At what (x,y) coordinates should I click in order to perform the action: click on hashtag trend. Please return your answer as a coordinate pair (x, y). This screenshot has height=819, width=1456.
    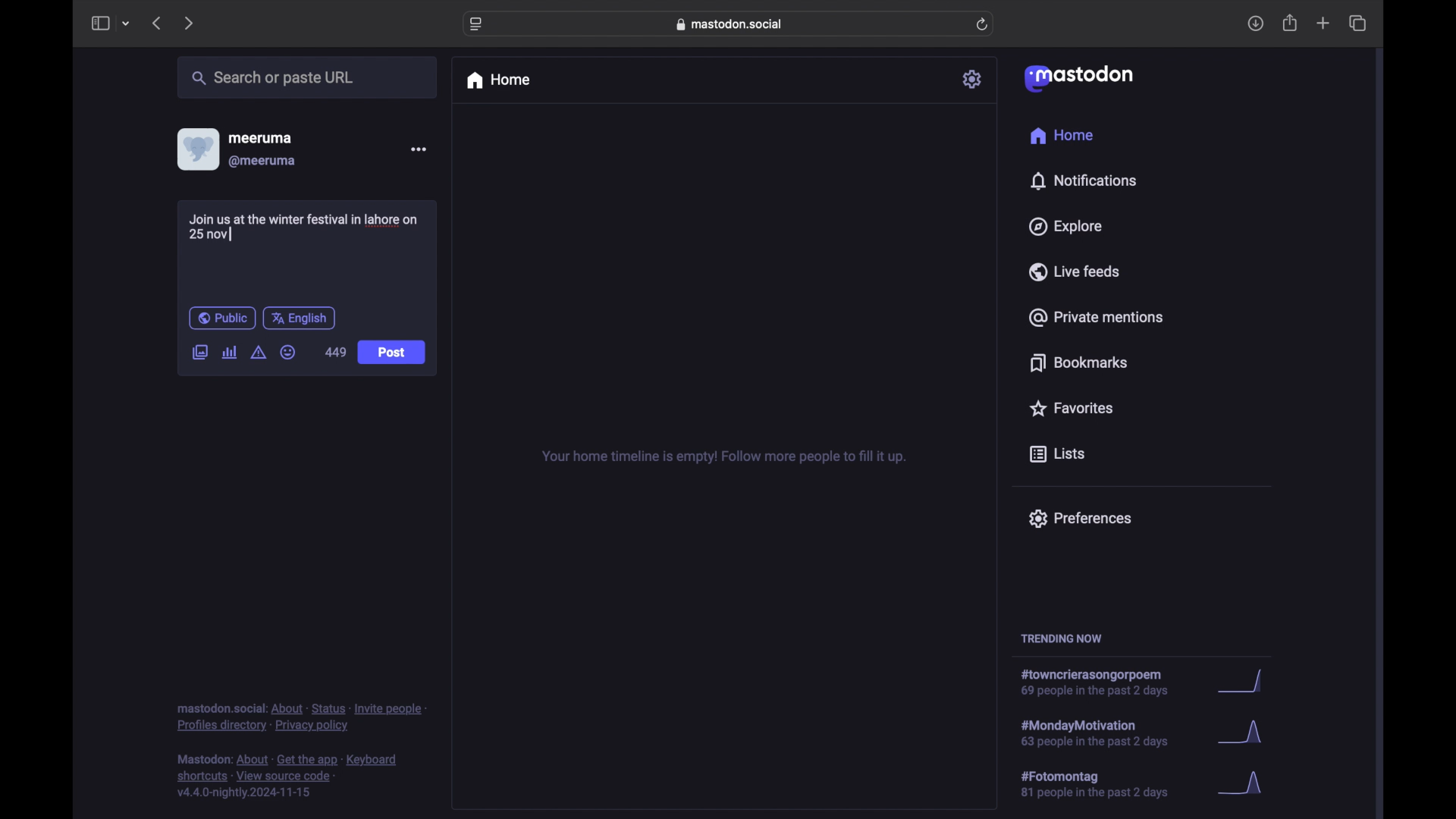
    Looking at the image, I should click on (1105, 732).